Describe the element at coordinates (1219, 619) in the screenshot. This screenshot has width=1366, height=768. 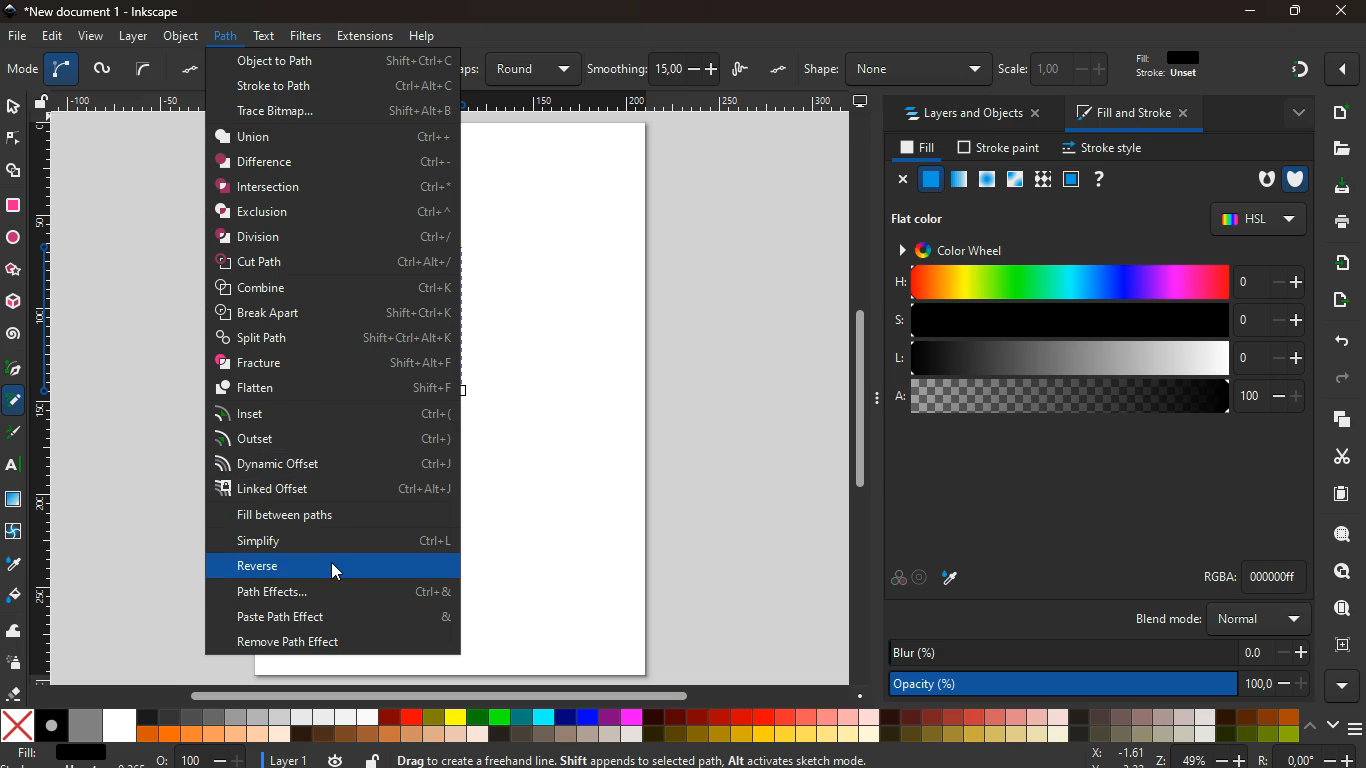
I see `blend mode` at that location.